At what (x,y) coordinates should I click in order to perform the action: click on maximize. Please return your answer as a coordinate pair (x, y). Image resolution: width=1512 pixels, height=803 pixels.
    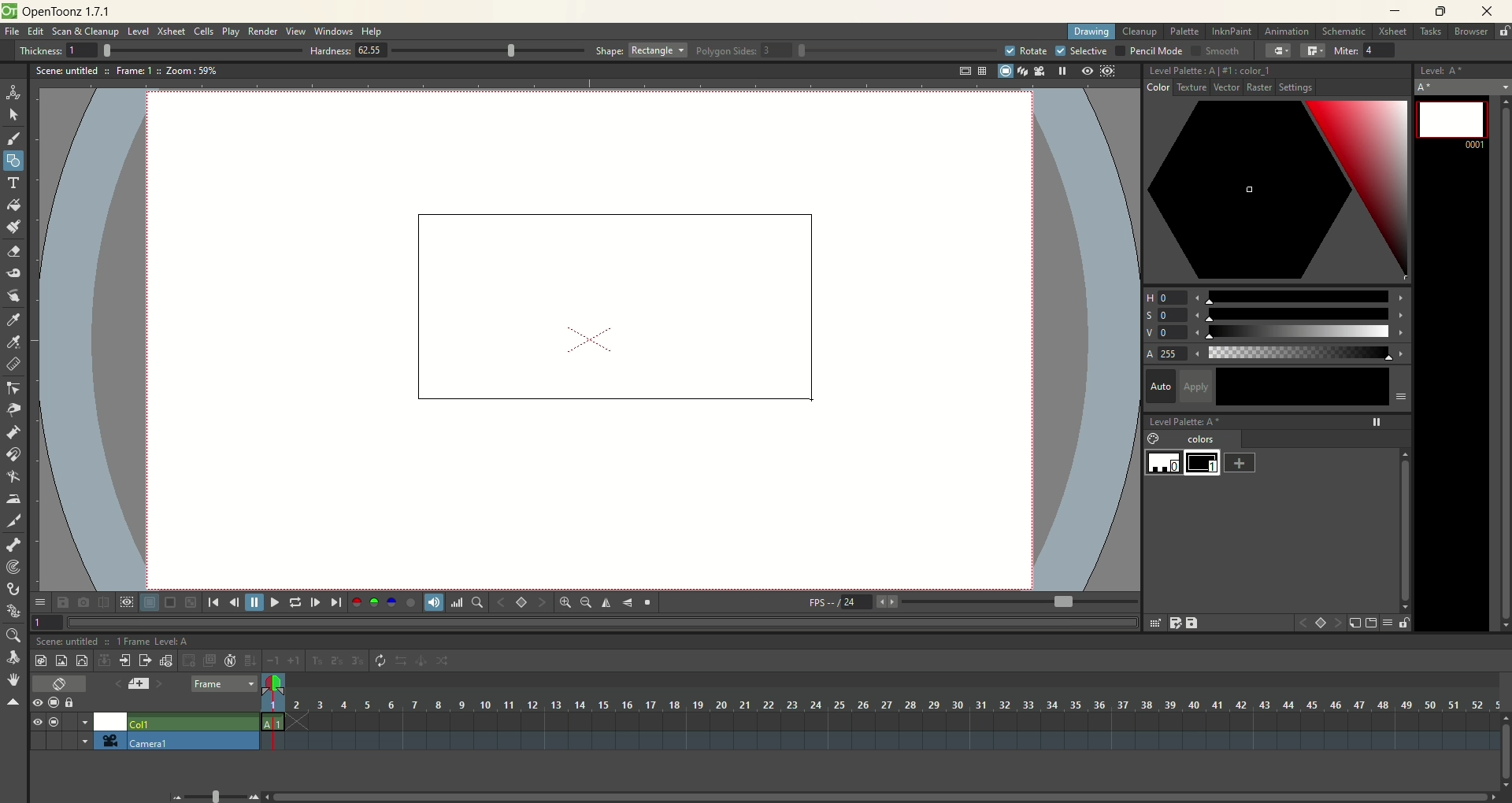
    Looking at the image, I should click on (1441, 13).